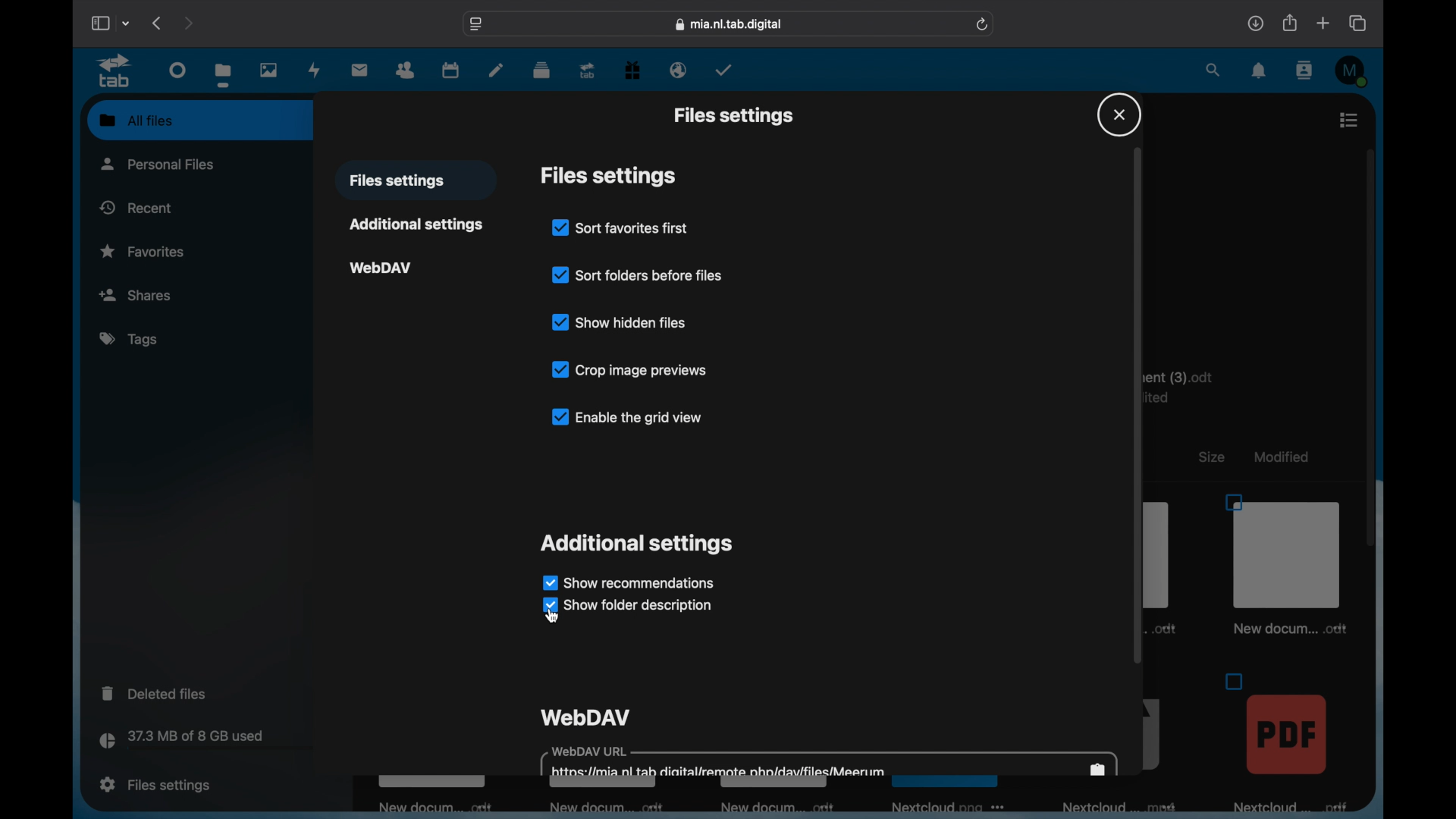 This screenshot has width=1456, height=819. Describe the element at coordinates (1303, 71) in the screenshot. I see `contacts` at that location.